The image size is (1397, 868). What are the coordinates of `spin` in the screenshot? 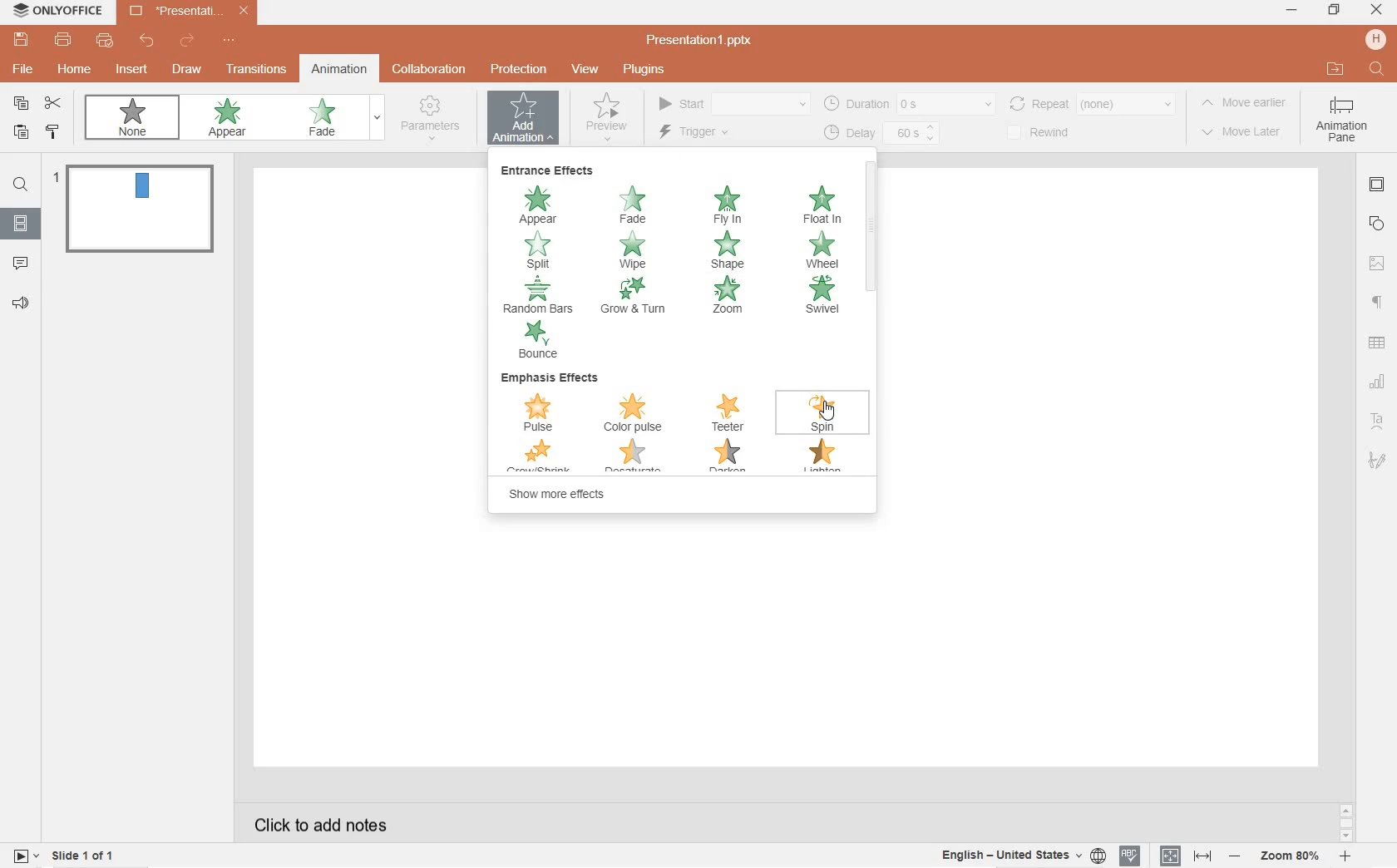 It's located at (823, 413).